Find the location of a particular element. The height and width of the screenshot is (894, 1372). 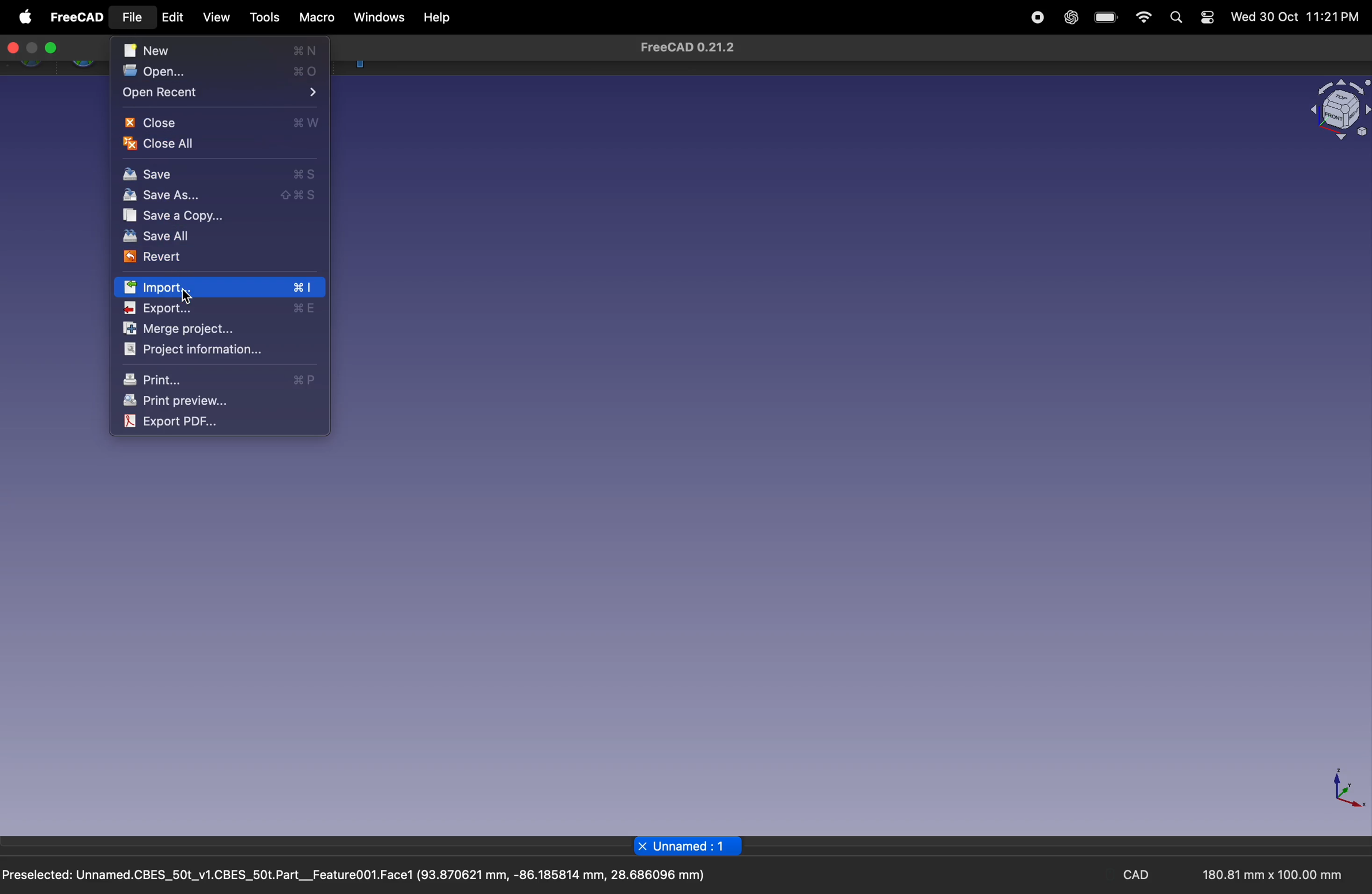

revert is located at coordinates (203, 257).